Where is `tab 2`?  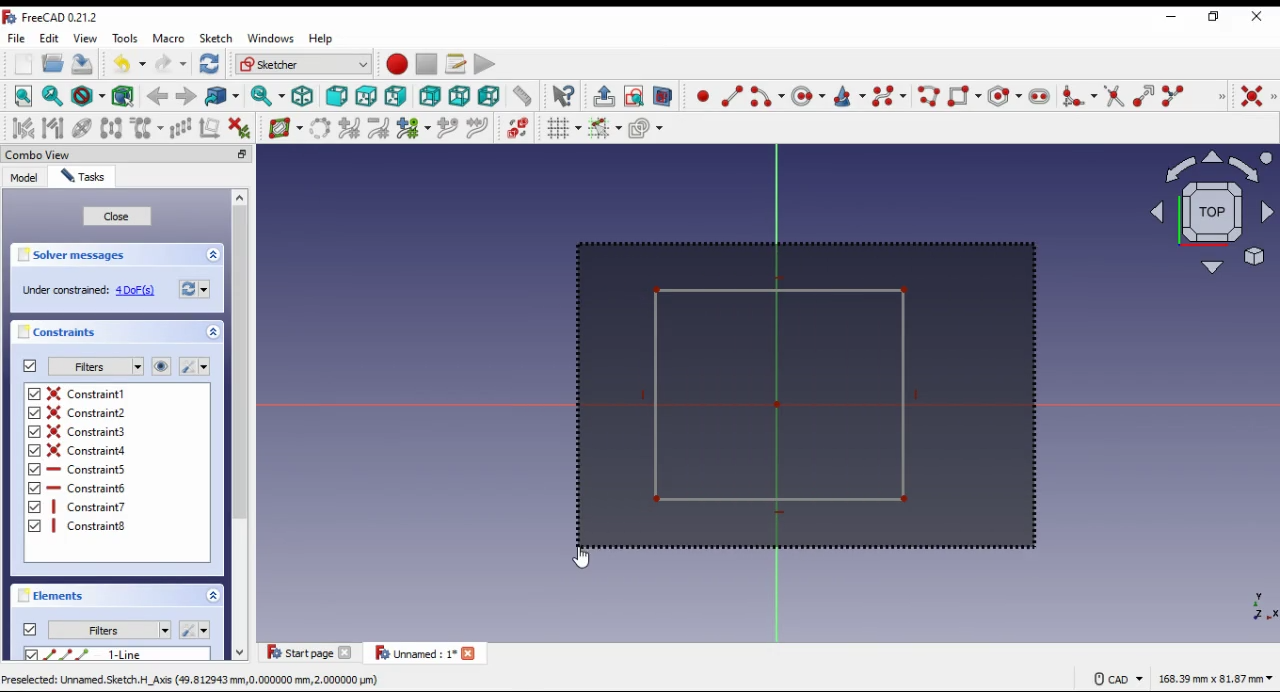
tab 2 is located at coordinates (426, 653).